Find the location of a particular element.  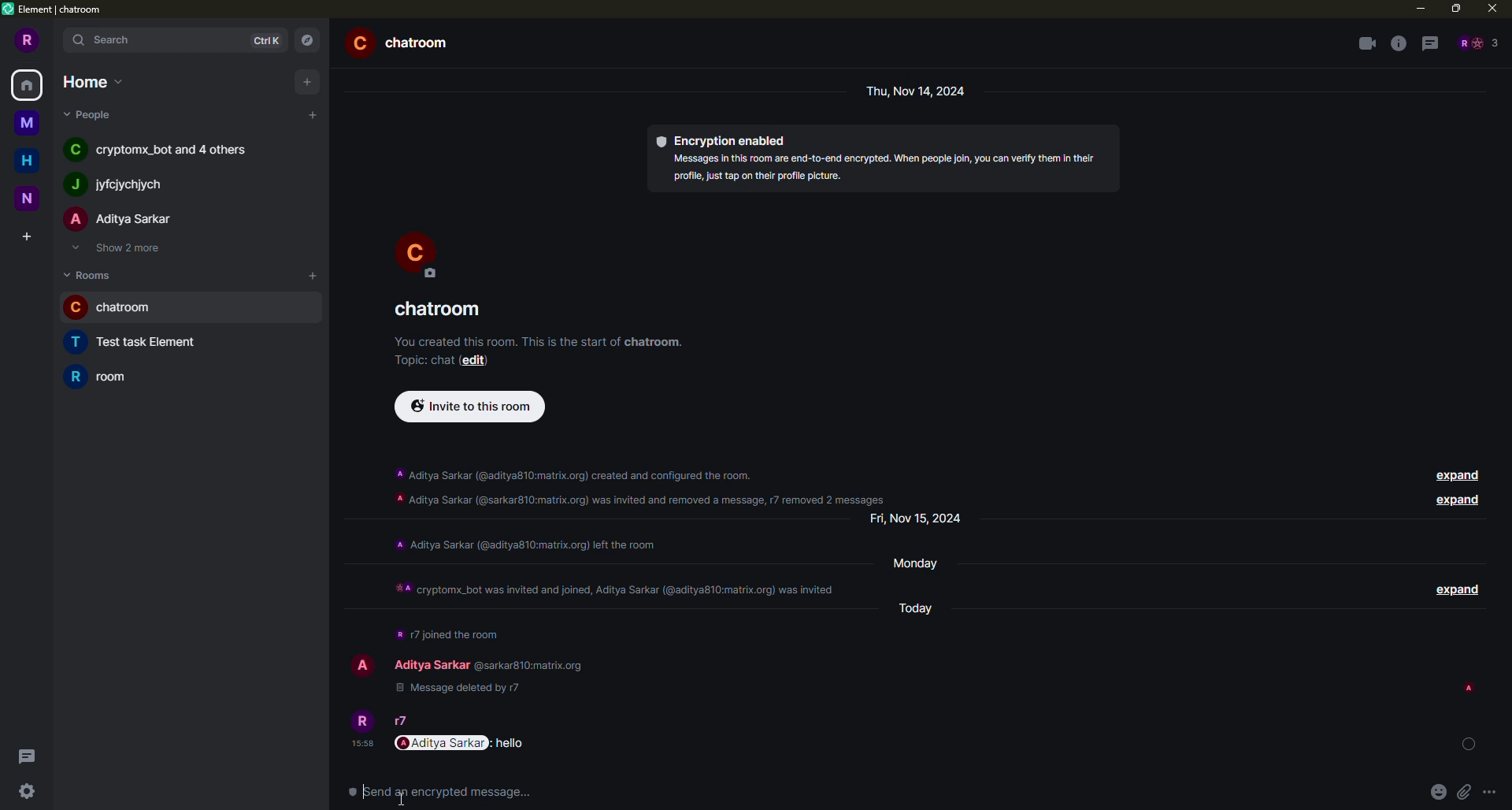

people is located at coordinates (116, 185).